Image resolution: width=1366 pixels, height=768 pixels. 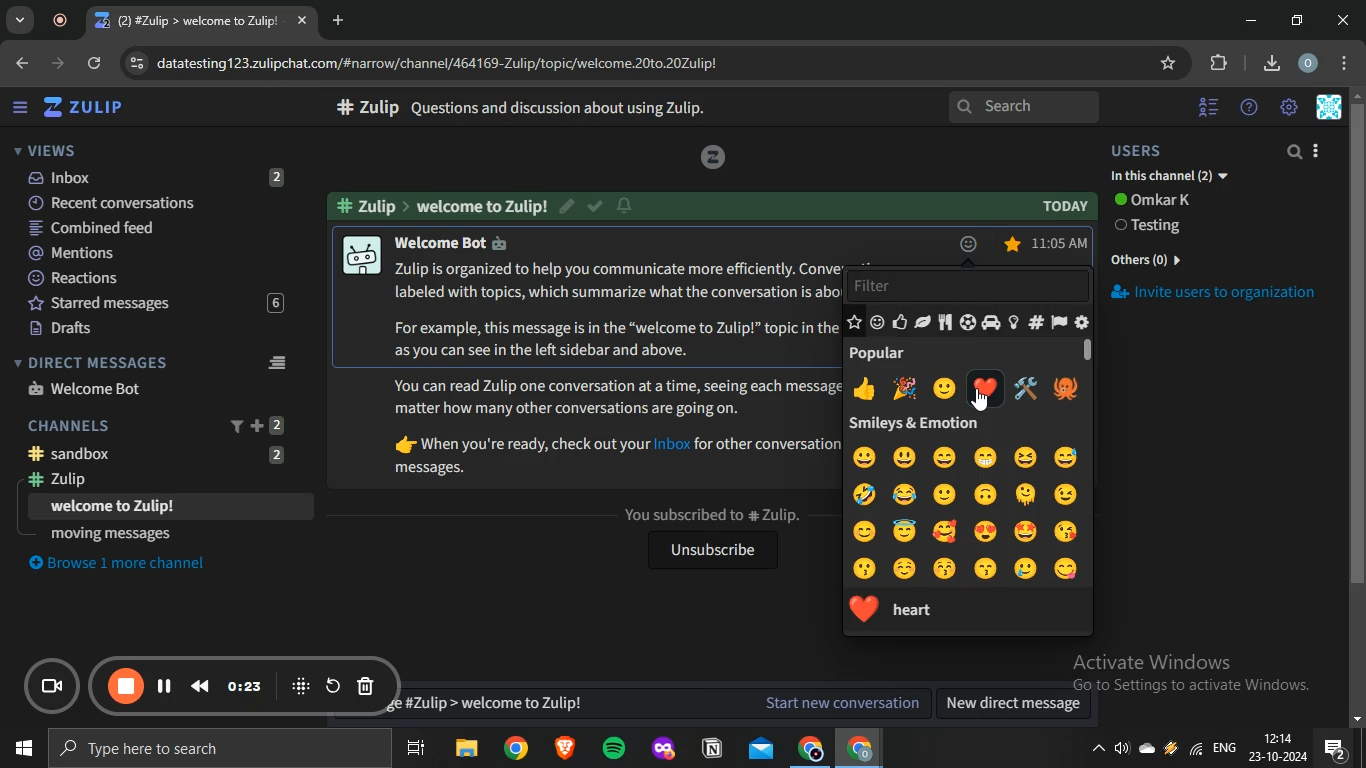 What do you see at coordinates (360, 256) in the screenshot?
I see ` channel image` at bounding box center [360, 256].